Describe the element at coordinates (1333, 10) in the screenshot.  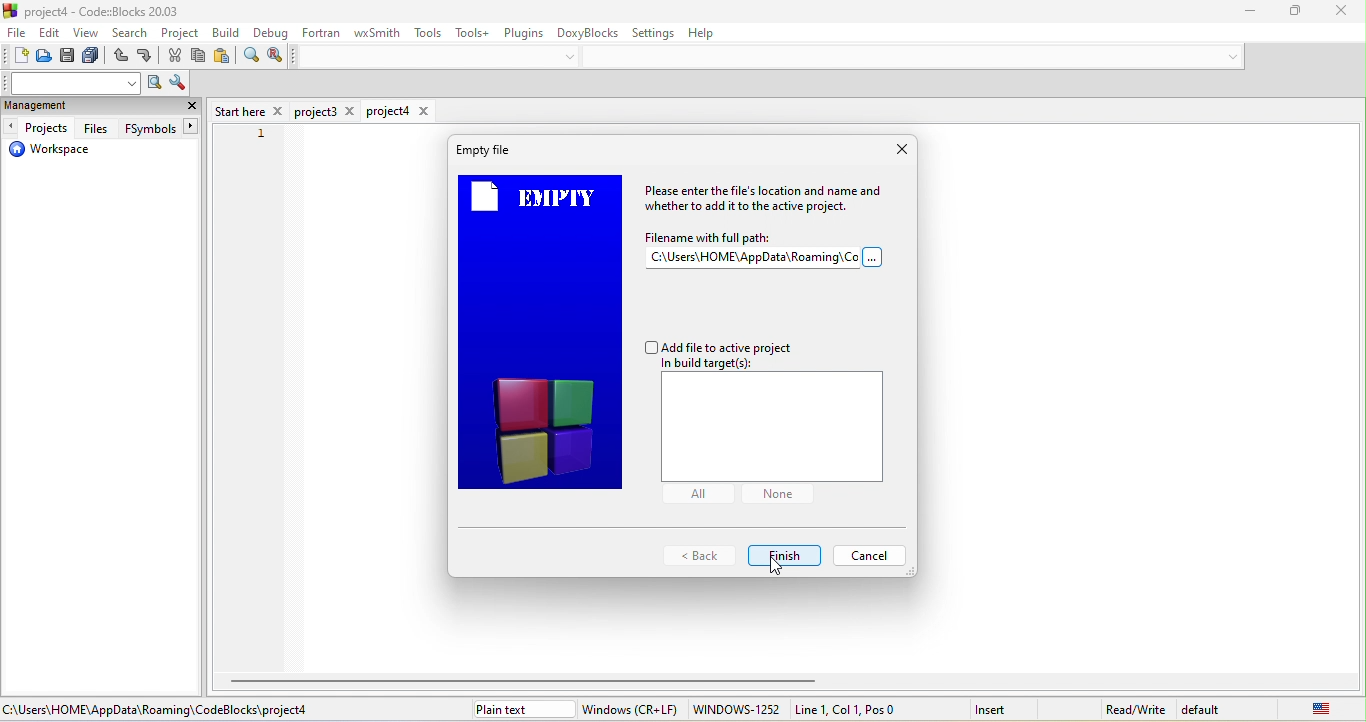
I see `close` at that location.